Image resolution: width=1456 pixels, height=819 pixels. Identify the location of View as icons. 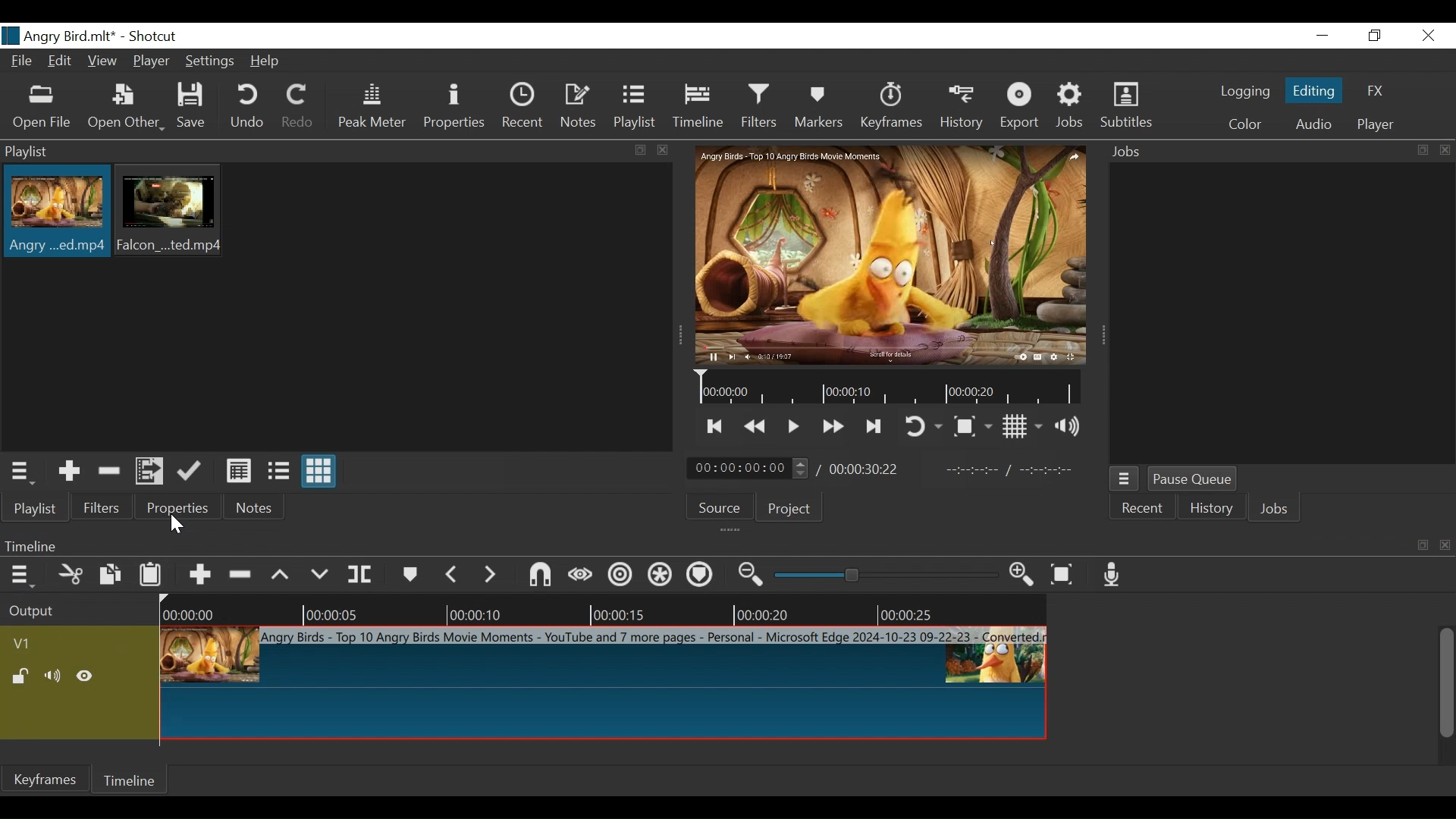
(319, 470).